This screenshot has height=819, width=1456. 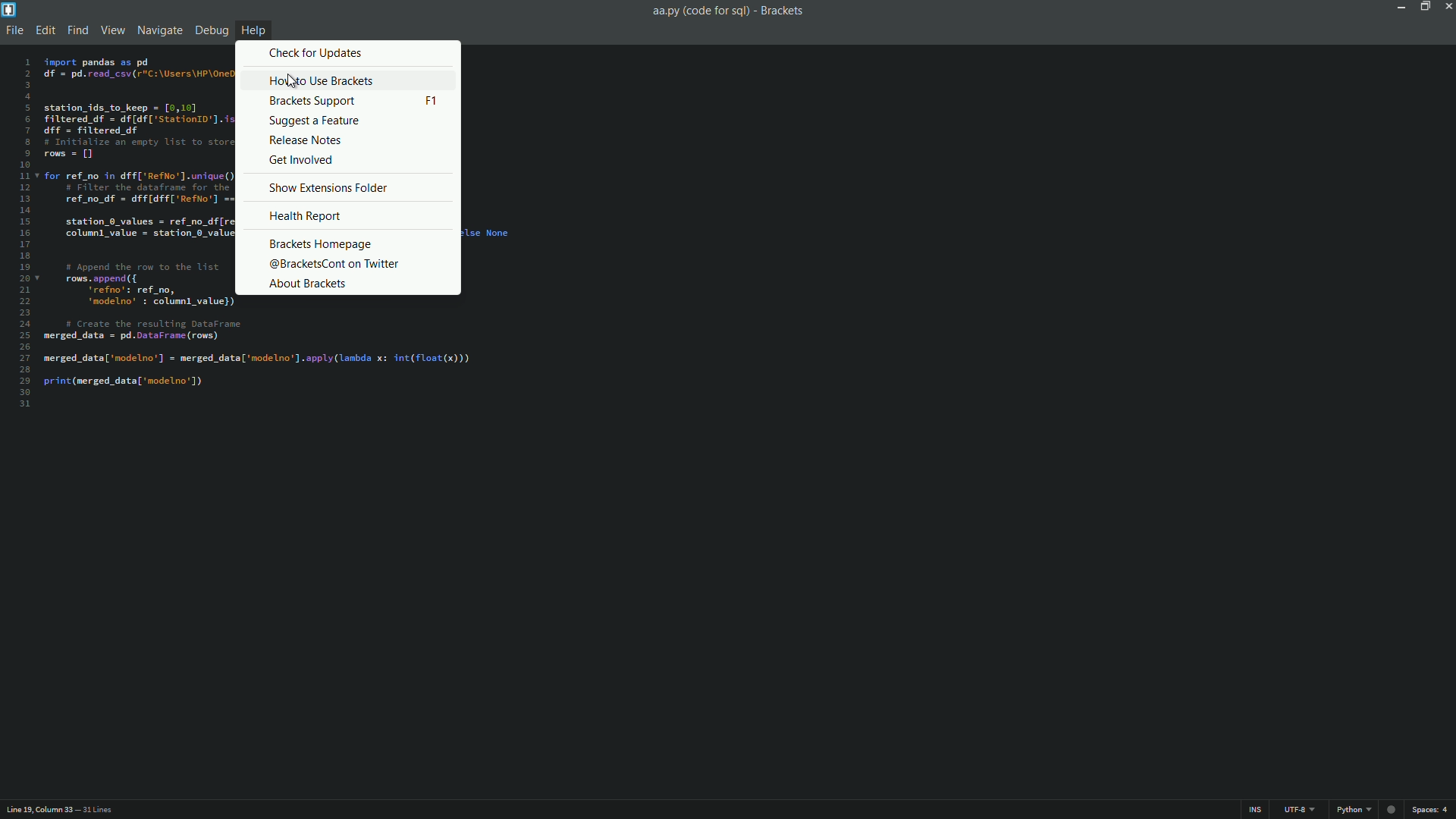 What do you see at coordinates (307, 283) in the screenshot?
I see `about brackets` at bounding box center [307, 283].